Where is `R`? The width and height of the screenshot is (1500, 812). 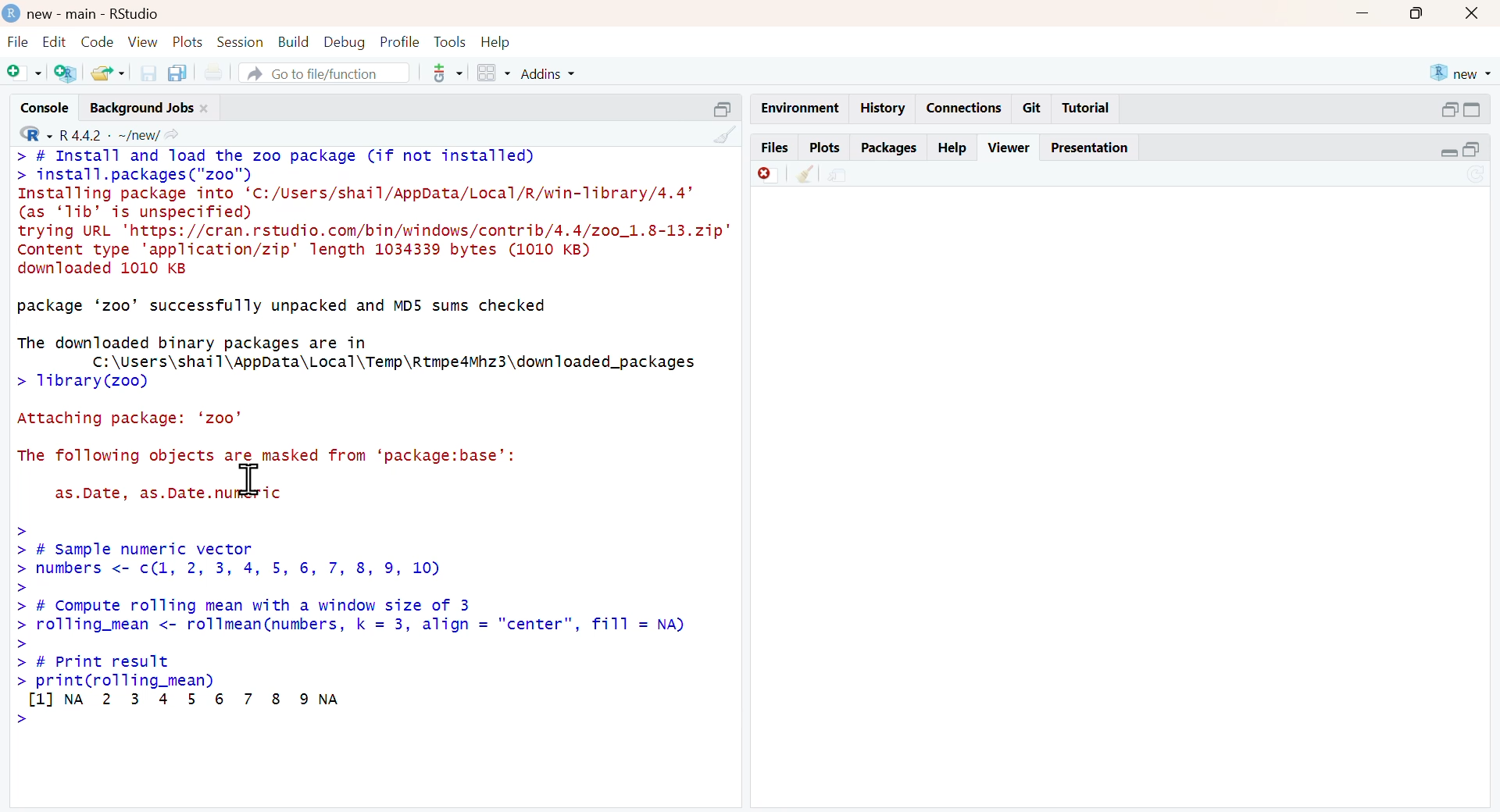
R is located at coordinates (36, 134).